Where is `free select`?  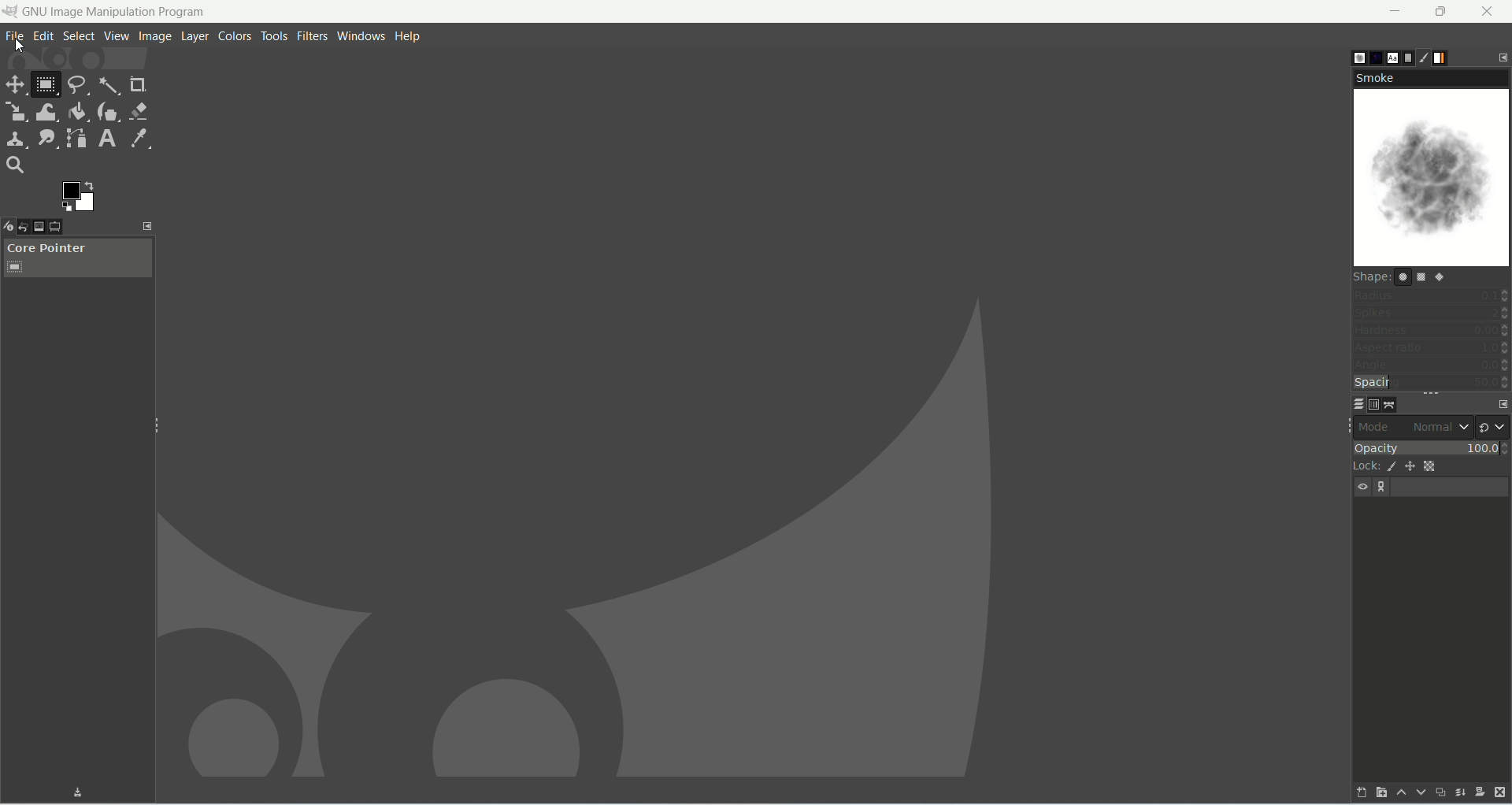
free select is located at coordinates (76, 87).